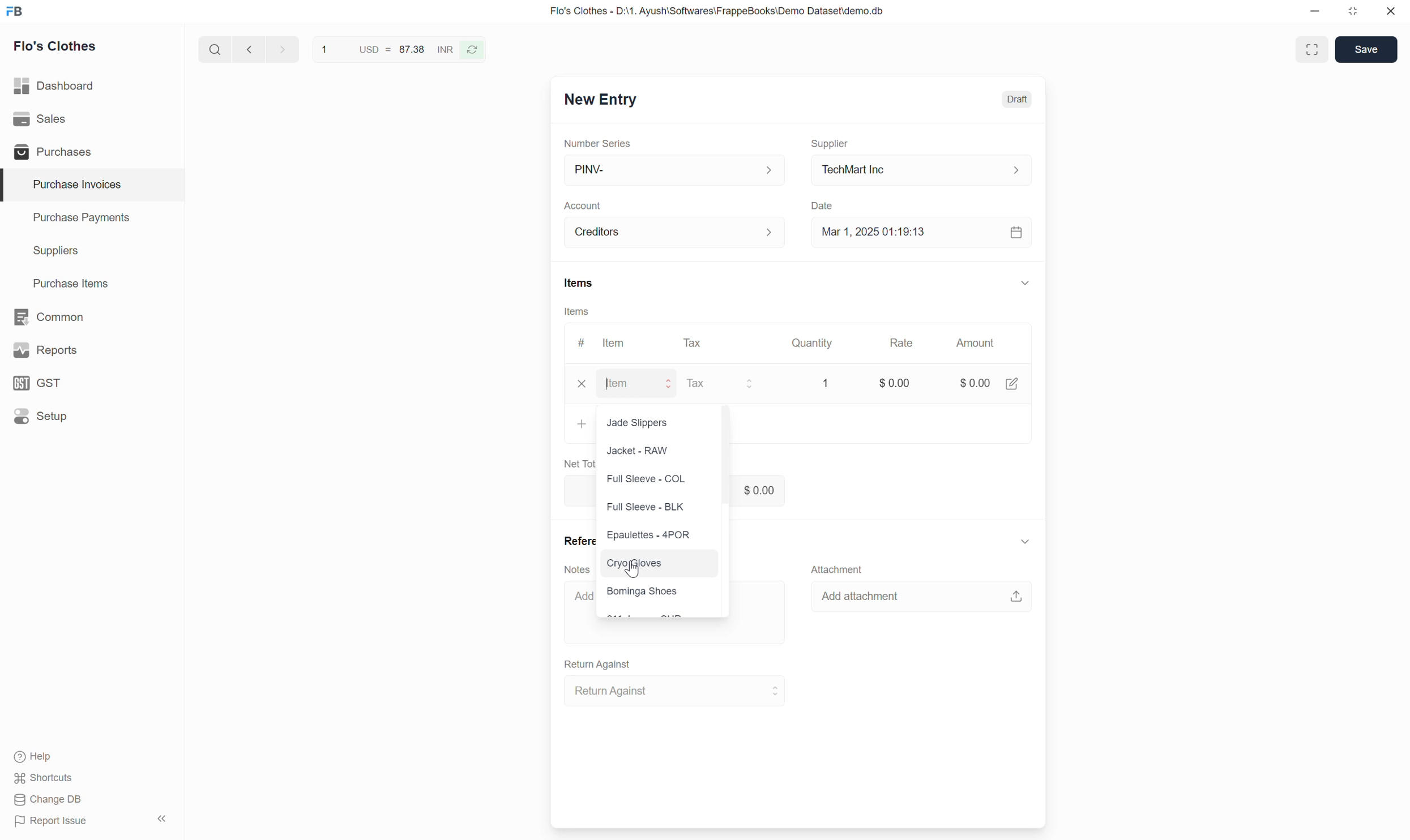  I want to click on Return Against, so click(683, 690).